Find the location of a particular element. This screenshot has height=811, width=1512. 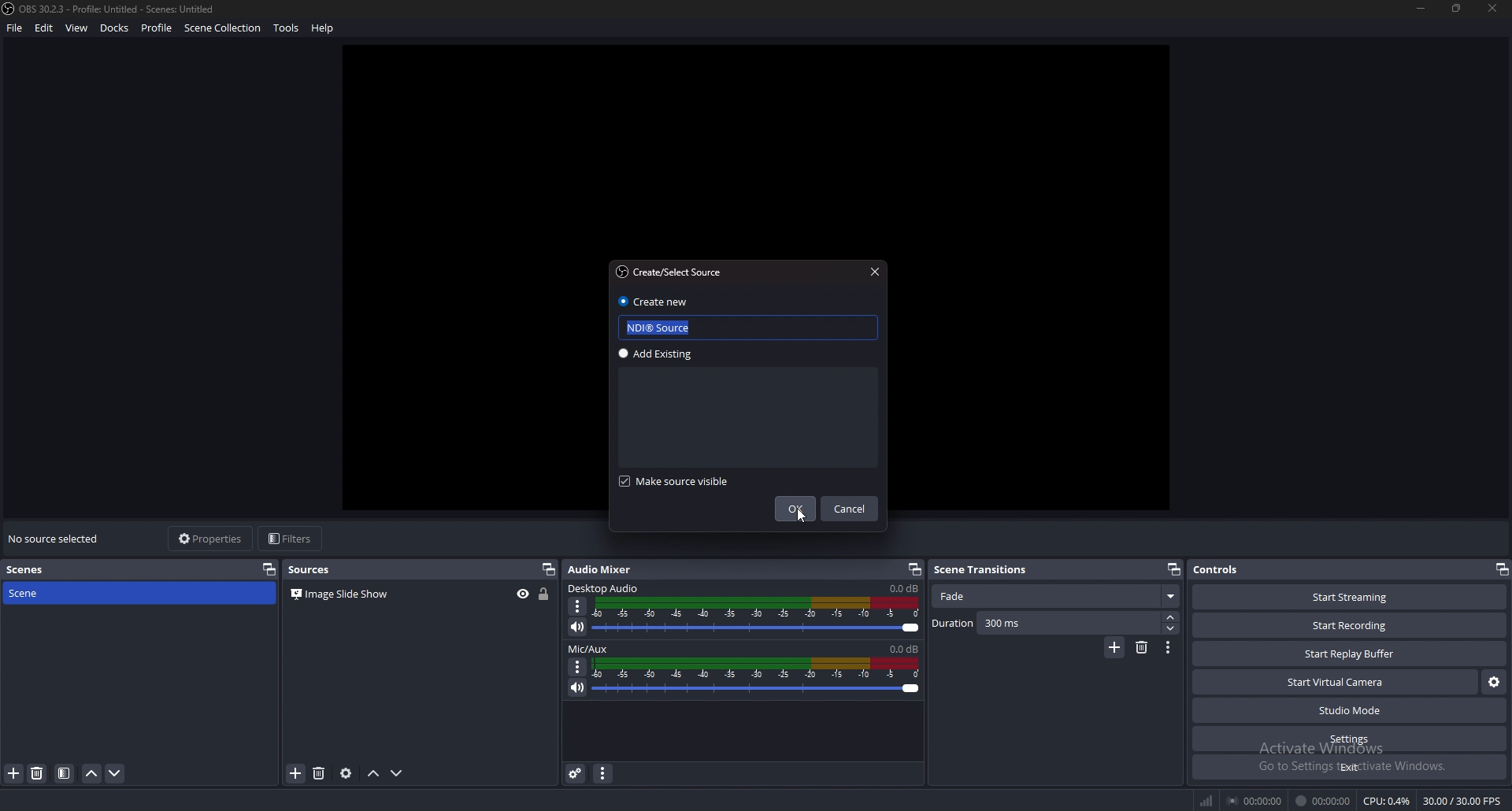

streaming duration is located at coordinates (1256, 802).